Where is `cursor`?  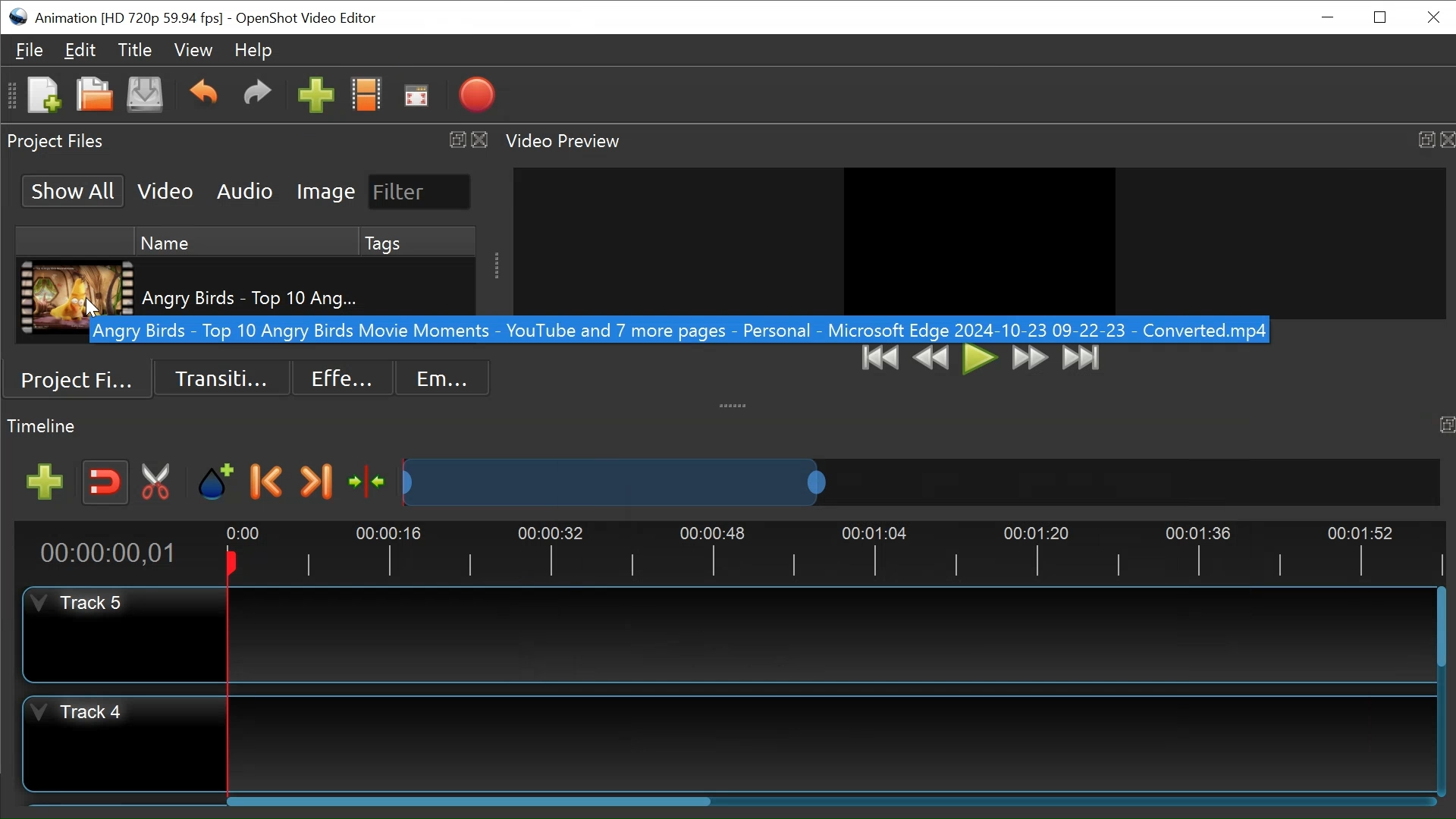 cursor is located at coordinates (92, 311).